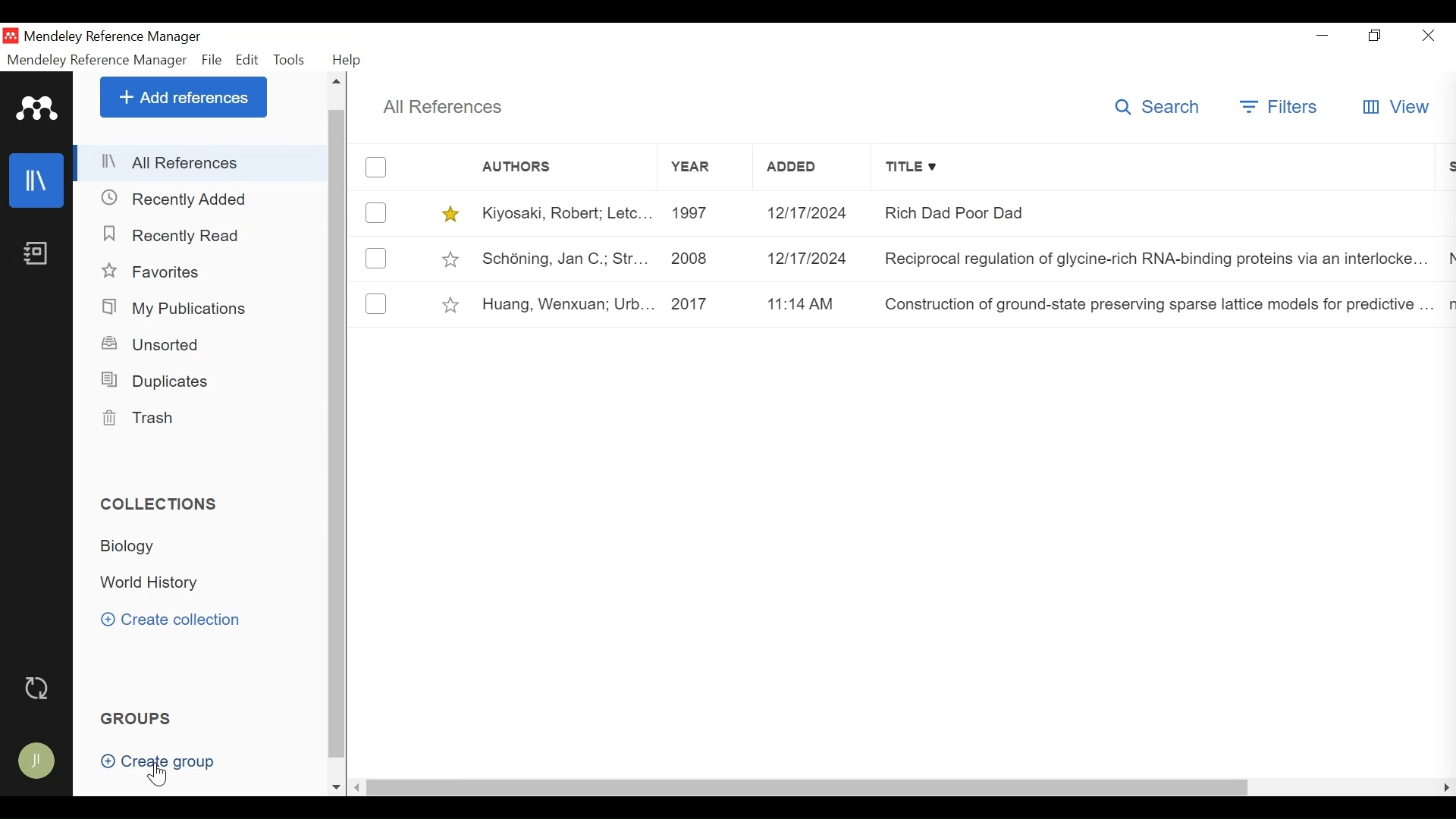 The image size is (1456, 819). I want to click on 1997, so click(704, 214).